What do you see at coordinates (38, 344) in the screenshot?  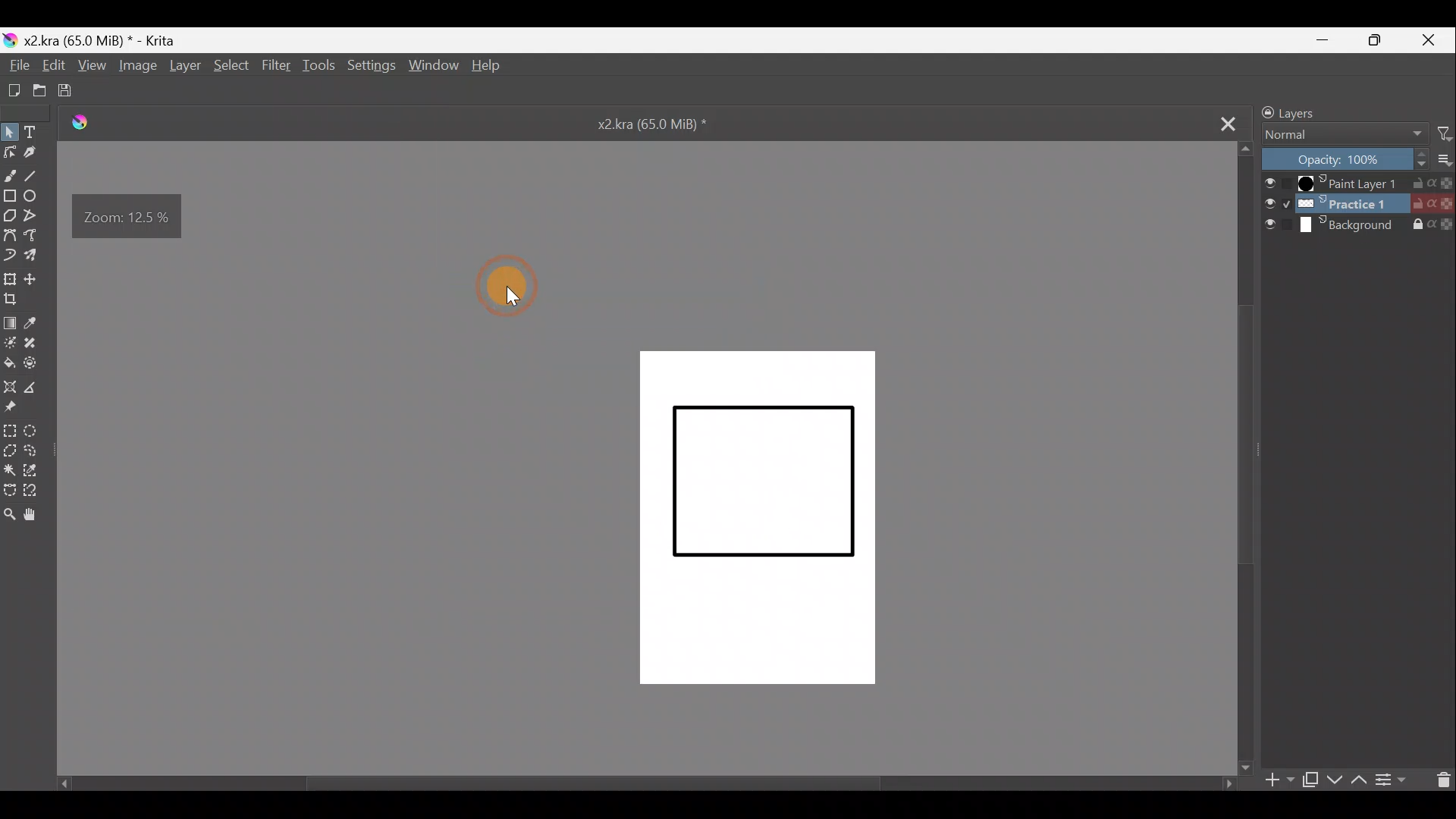 I see `Smart patch tool` at bounding box center [38, 344].